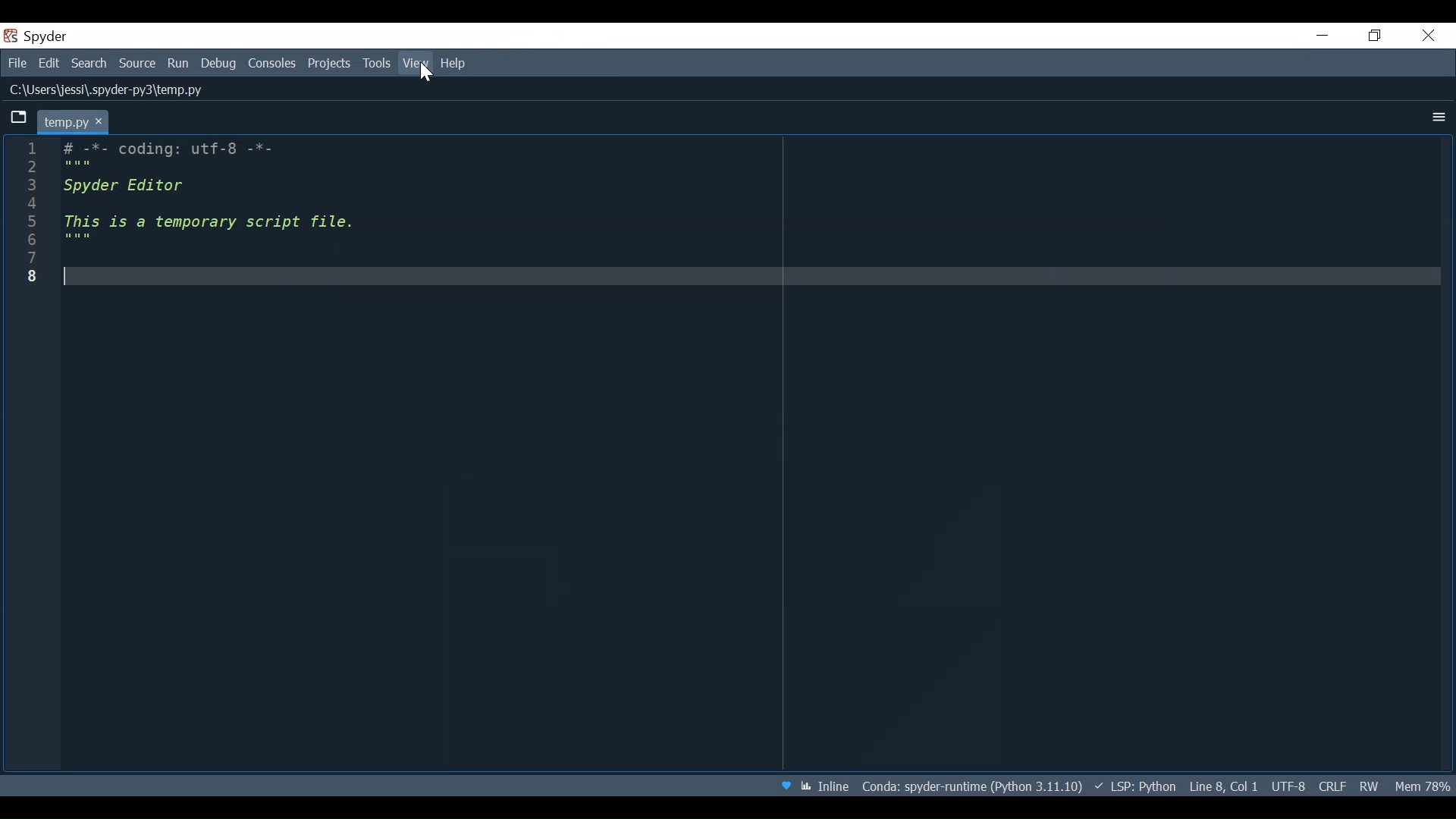  What do you see at coordinates (1423, 782) in the screenshot?
I see `Memory Usage` at bounding box center [1423, 782].